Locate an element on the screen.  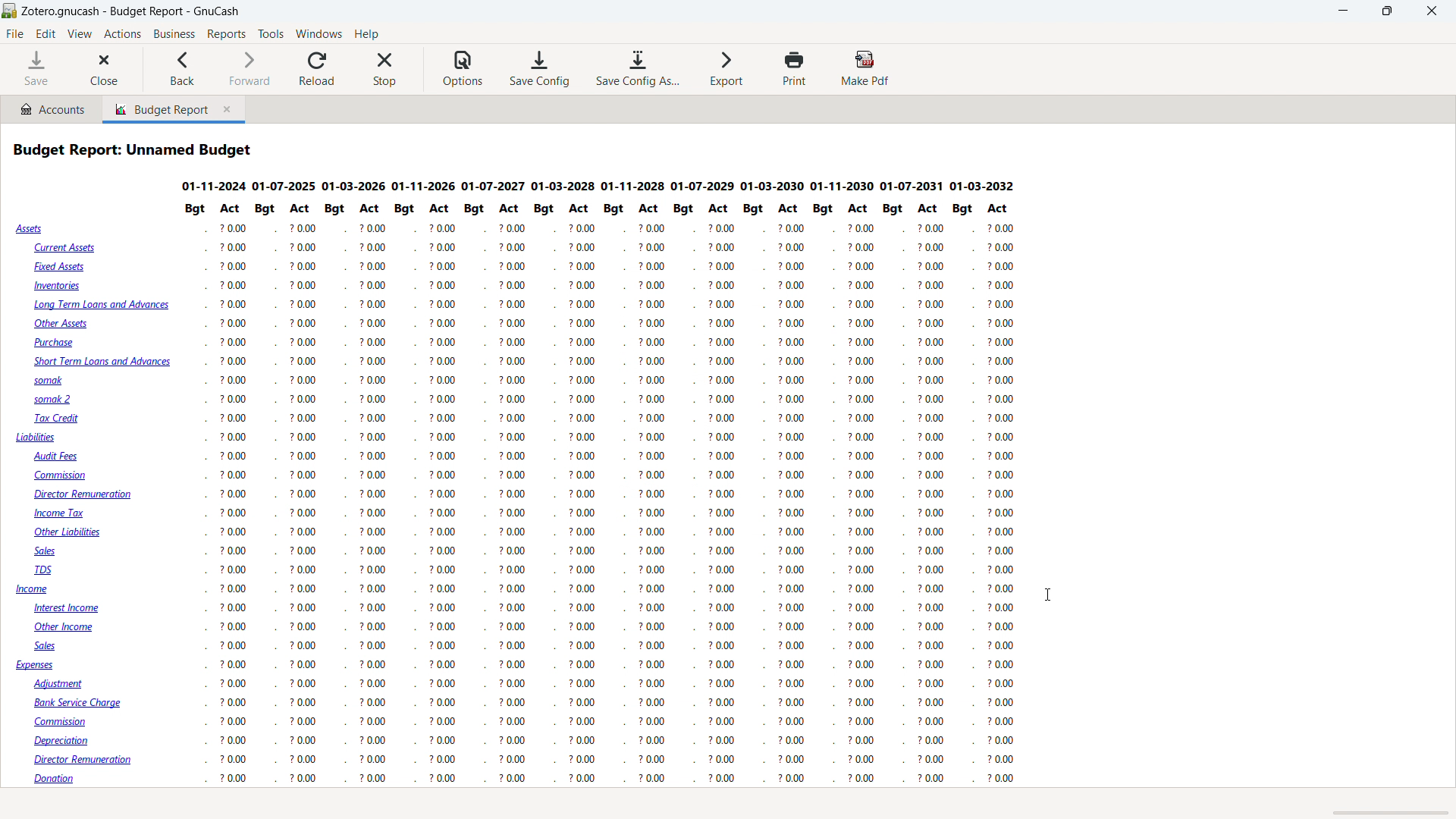
Sales is located at coordinates (48, 646).